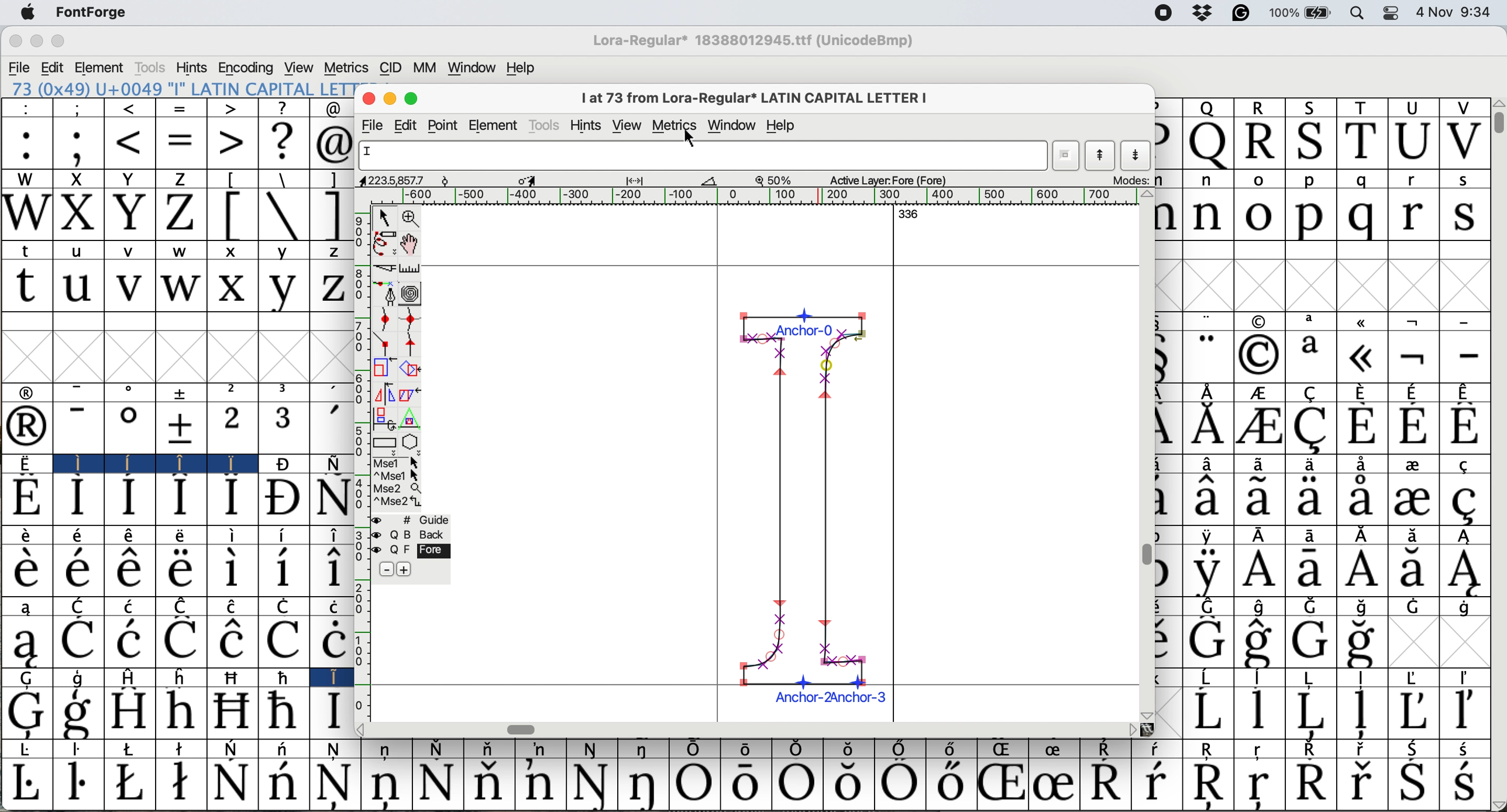 Image resolution: width=1507 pixels, height=812 pixels. Describe the element at coordinates (1363, 390) in the screenshot. I see `Symbol` at that location.